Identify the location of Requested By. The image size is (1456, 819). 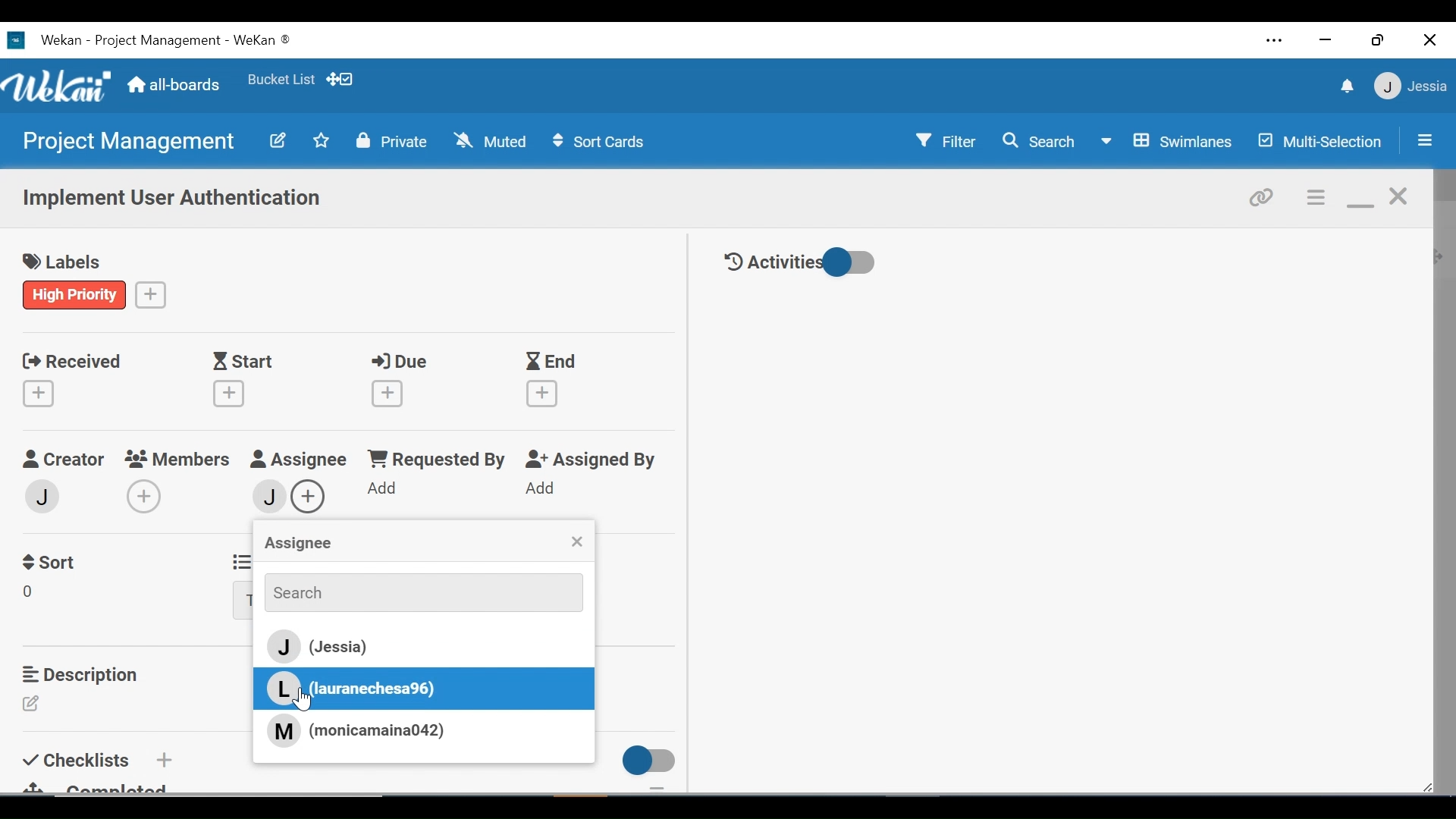
(435, 460).